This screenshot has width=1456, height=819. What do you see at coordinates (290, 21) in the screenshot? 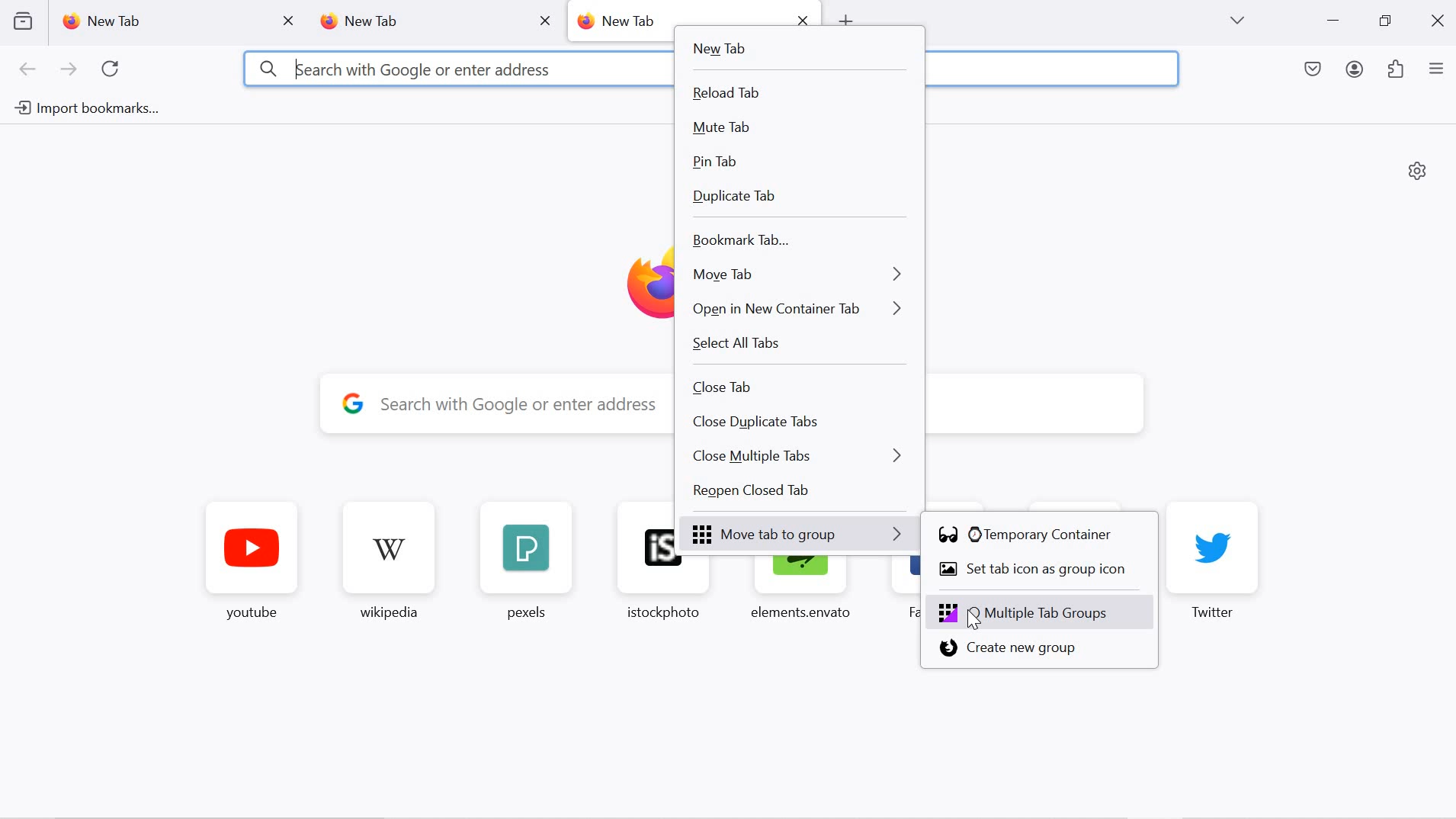
I see `close tab` at bounding box center [290, 21].